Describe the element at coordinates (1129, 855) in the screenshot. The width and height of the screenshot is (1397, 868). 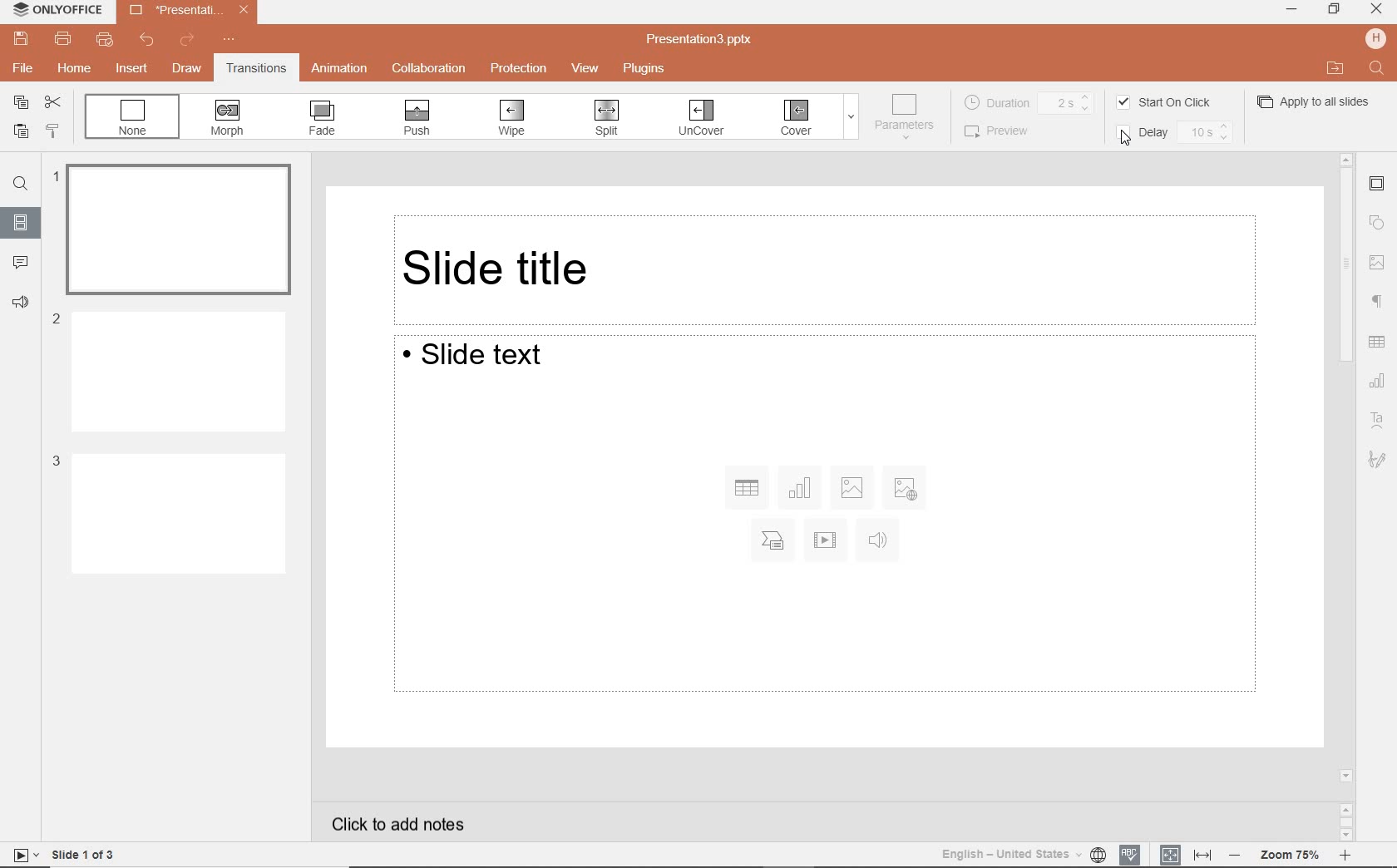
I see `spell checking` at that location.